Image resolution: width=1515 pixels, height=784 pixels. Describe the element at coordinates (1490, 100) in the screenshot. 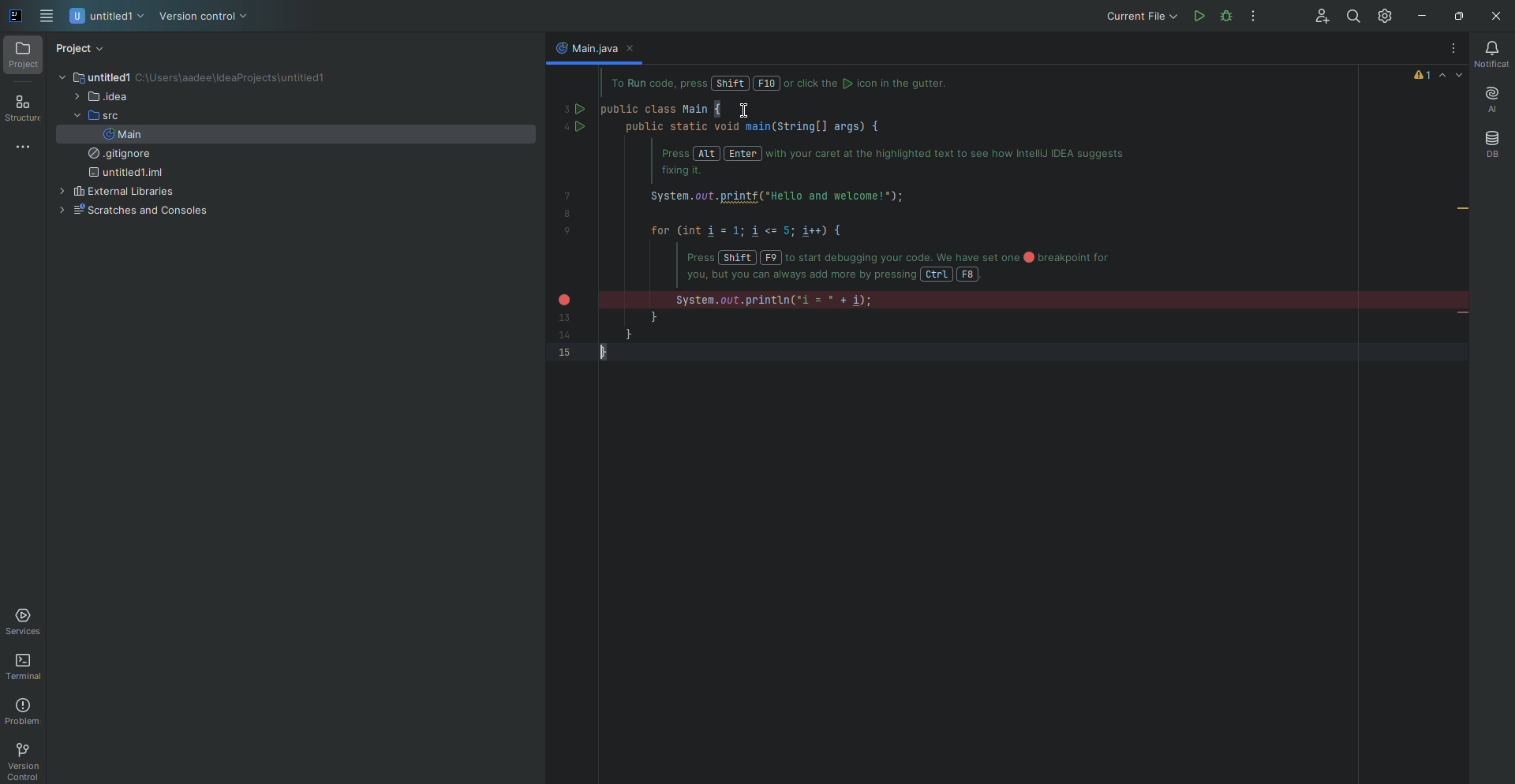

I see `AI` at that location.